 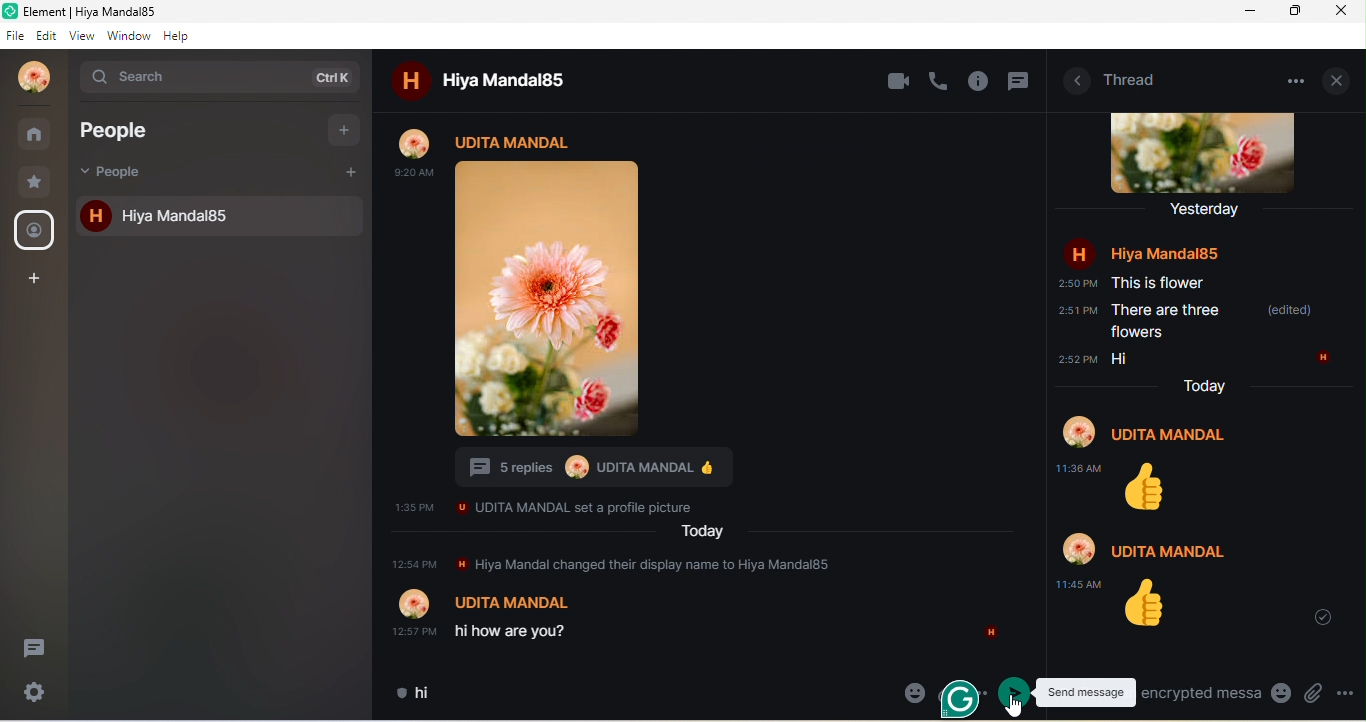 I want to click on Profile picture, so click(x=1078, y=433).